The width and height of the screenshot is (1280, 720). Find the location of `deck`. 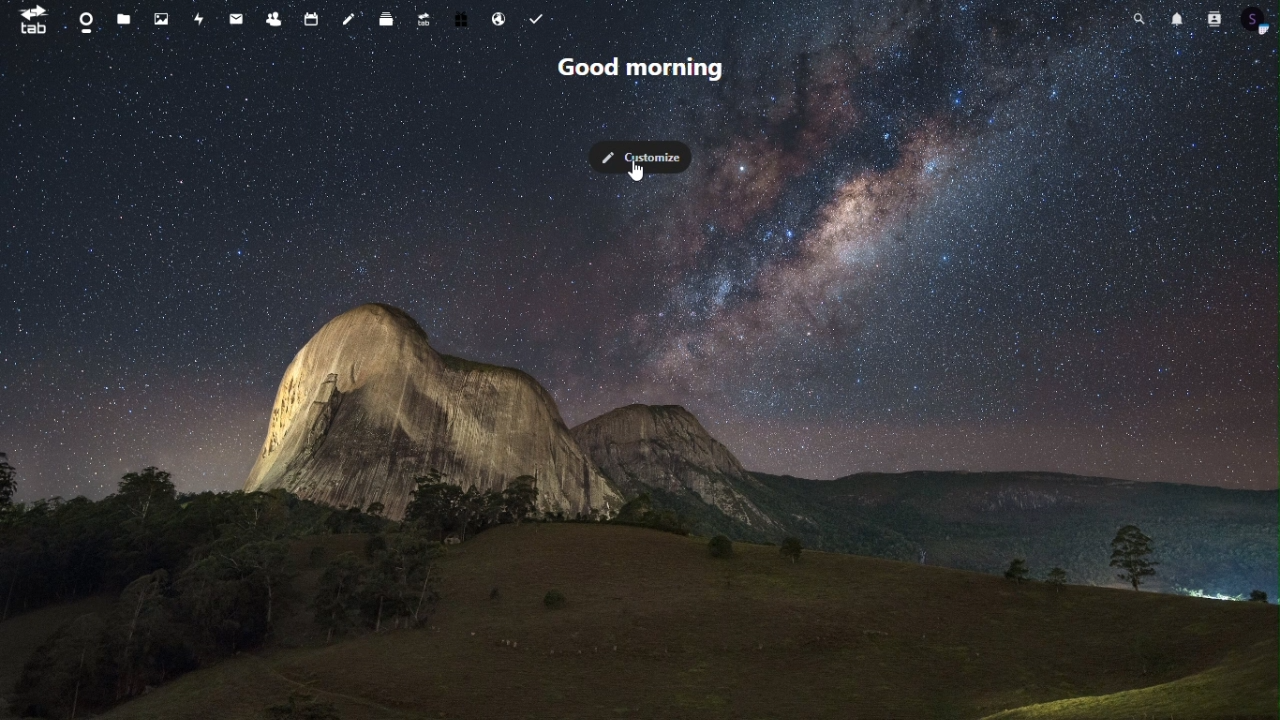

deck is located at coordinates (388, 20).